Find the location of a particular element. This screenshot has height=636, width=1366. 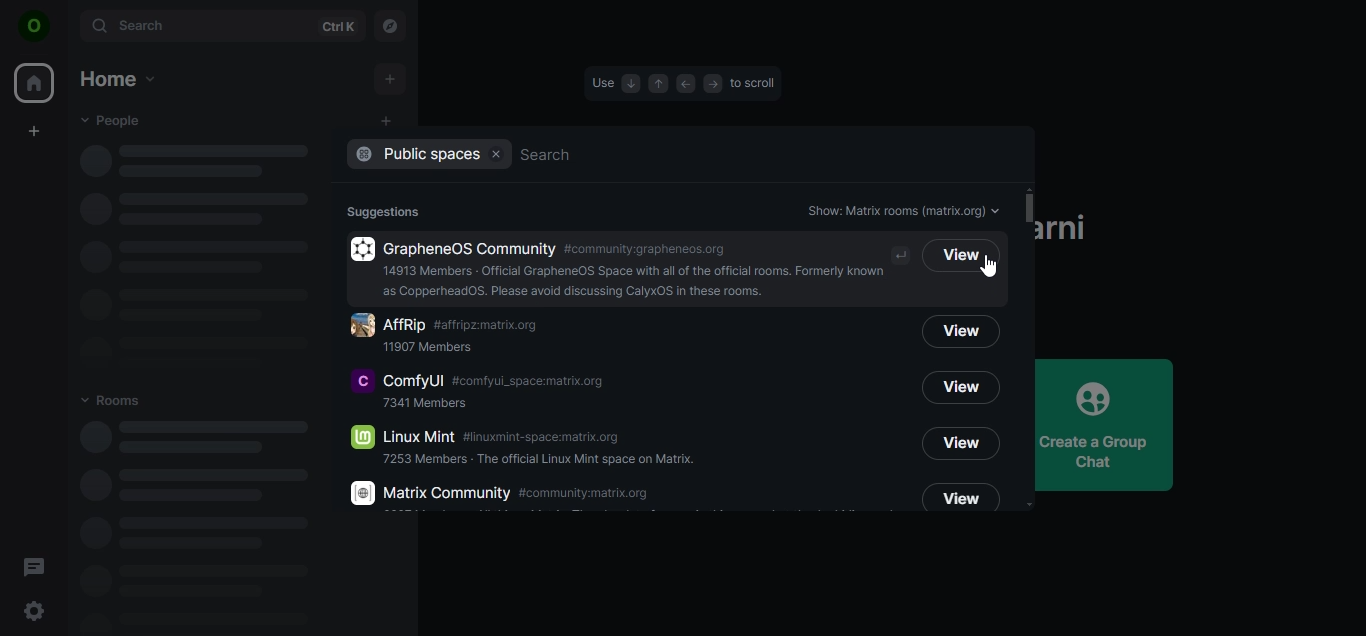

view is located at coordinates (961, 331).